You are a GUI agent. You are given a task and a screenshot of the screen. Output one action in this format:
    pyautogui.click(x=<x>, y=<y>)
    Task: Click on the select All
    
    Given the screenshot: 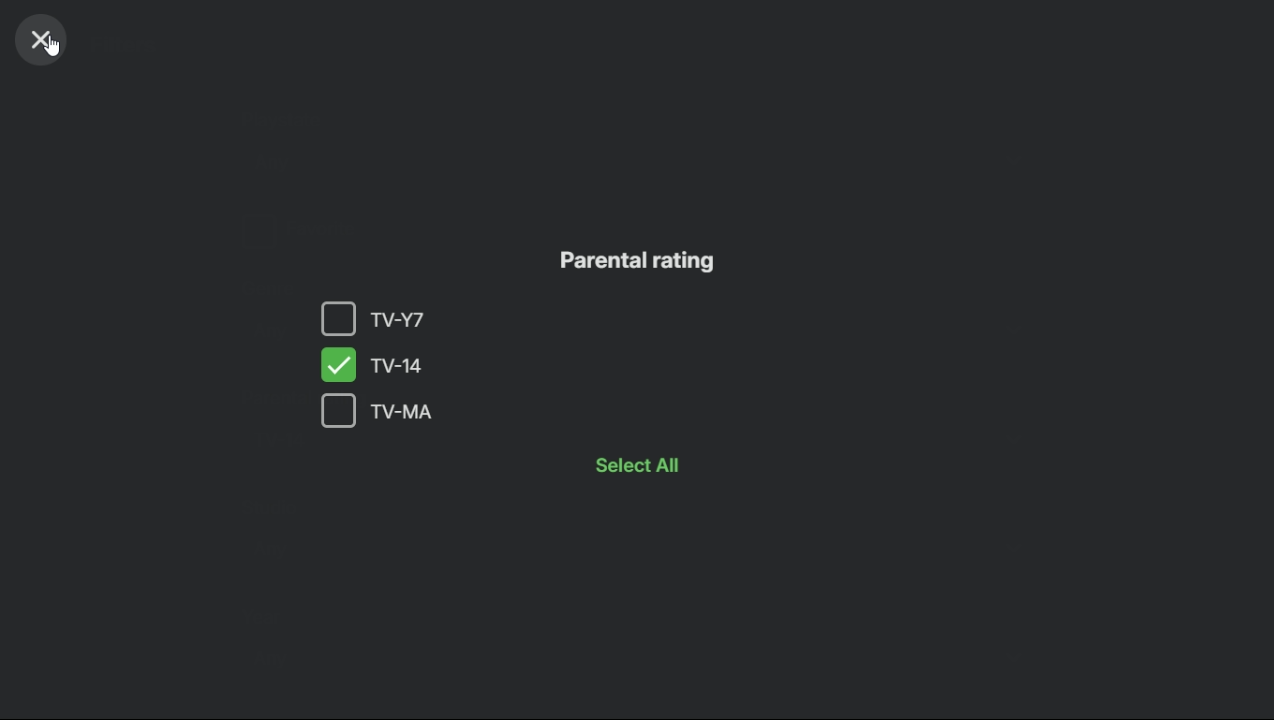 What is the action you would take?
    pyautogui.click(x=653, y=465)
    